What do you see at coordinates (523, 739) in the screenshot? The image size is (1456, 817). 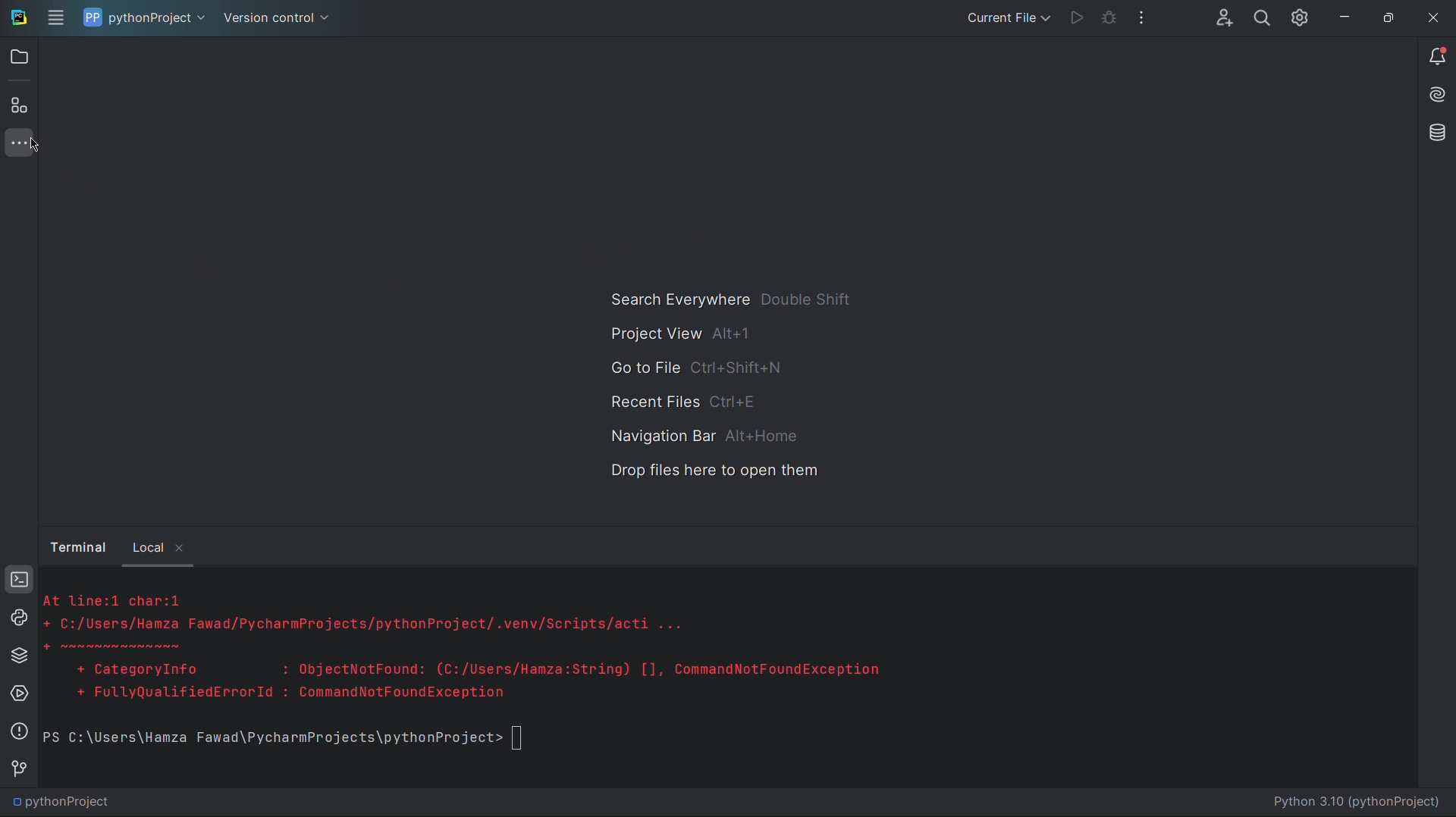 I see `text box` at bounding box center [523, 739].